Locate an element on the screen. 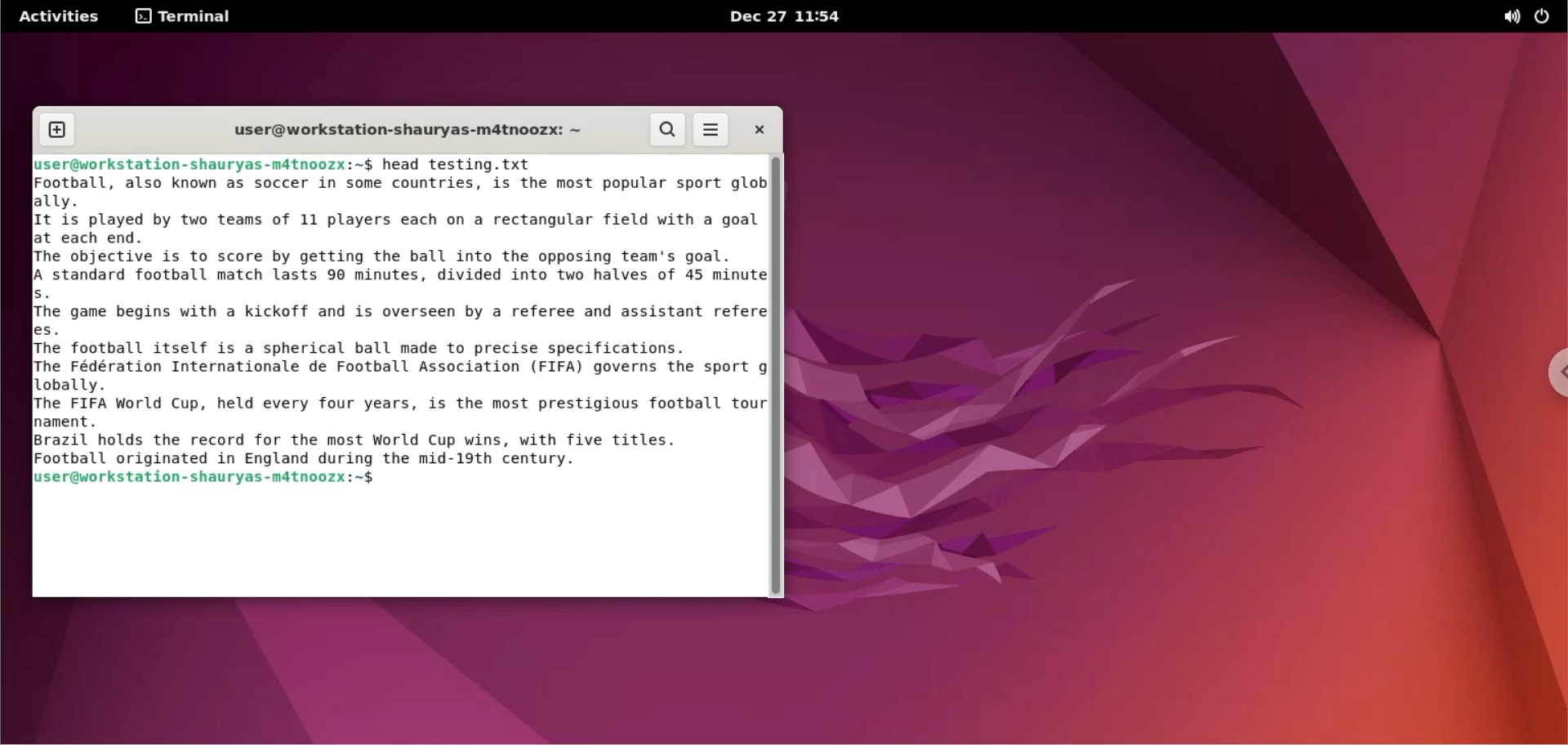 This screenshot has height=745, width=1568. date and time dec 27 11:54 is located at coordinates (792, 18).